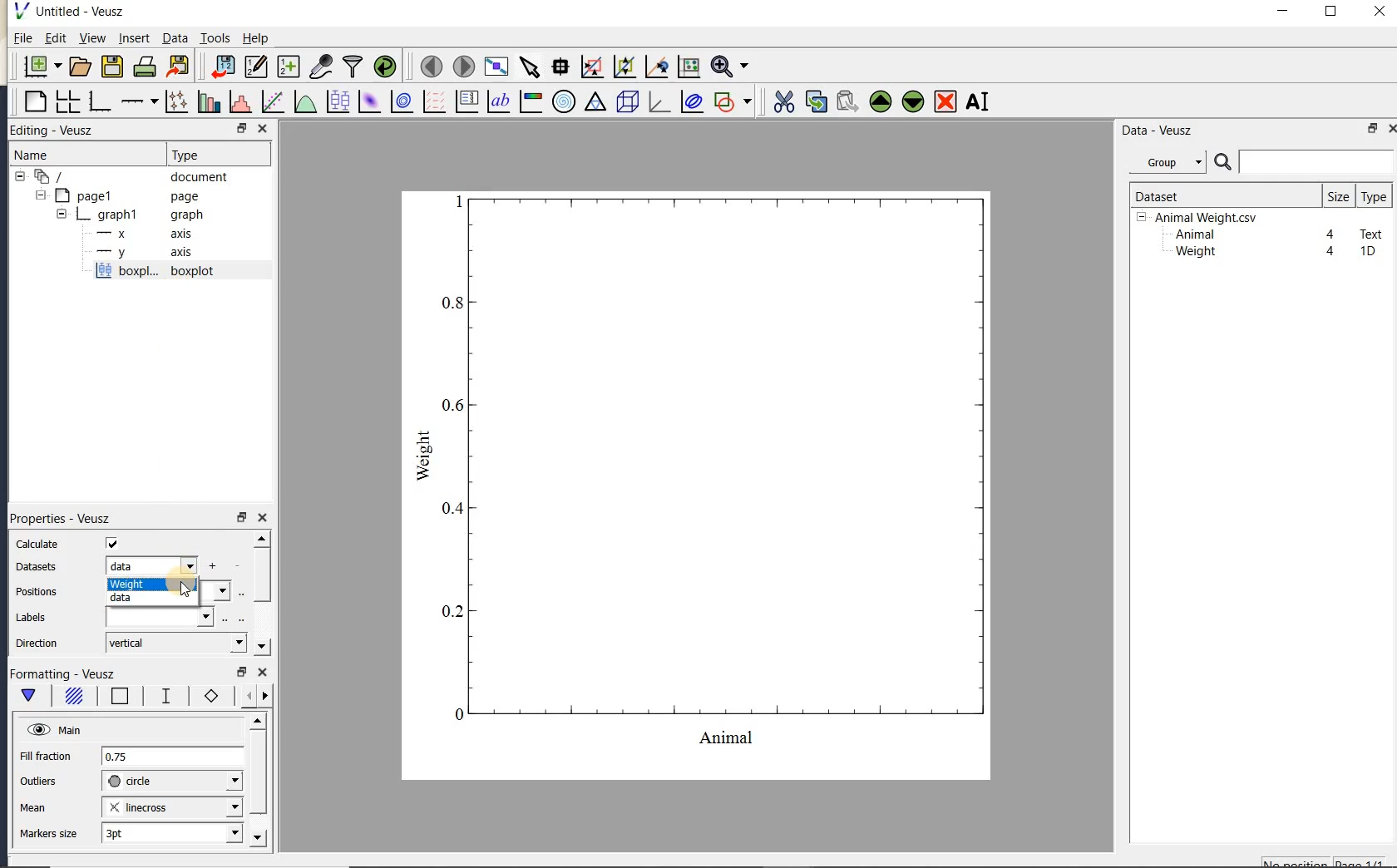 Image resolution: width=1397 pixels, height=868 pixels. Describe the element at coordinates (976, 101) in the screenshot. I see `renames the selected widget` at that location.